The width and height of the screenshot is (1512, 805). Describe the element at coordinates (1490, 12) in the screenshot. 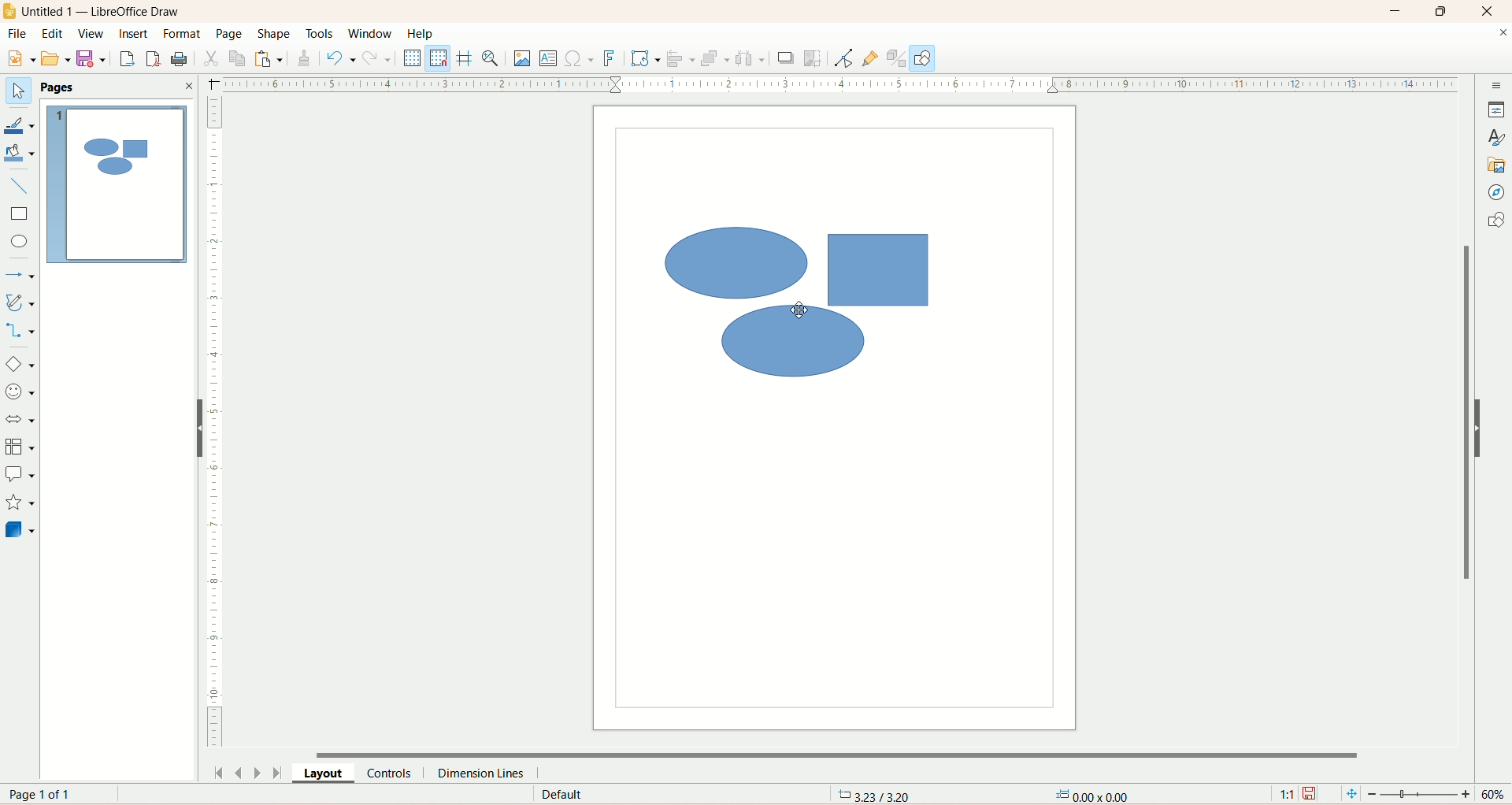

I see `close` at that location.